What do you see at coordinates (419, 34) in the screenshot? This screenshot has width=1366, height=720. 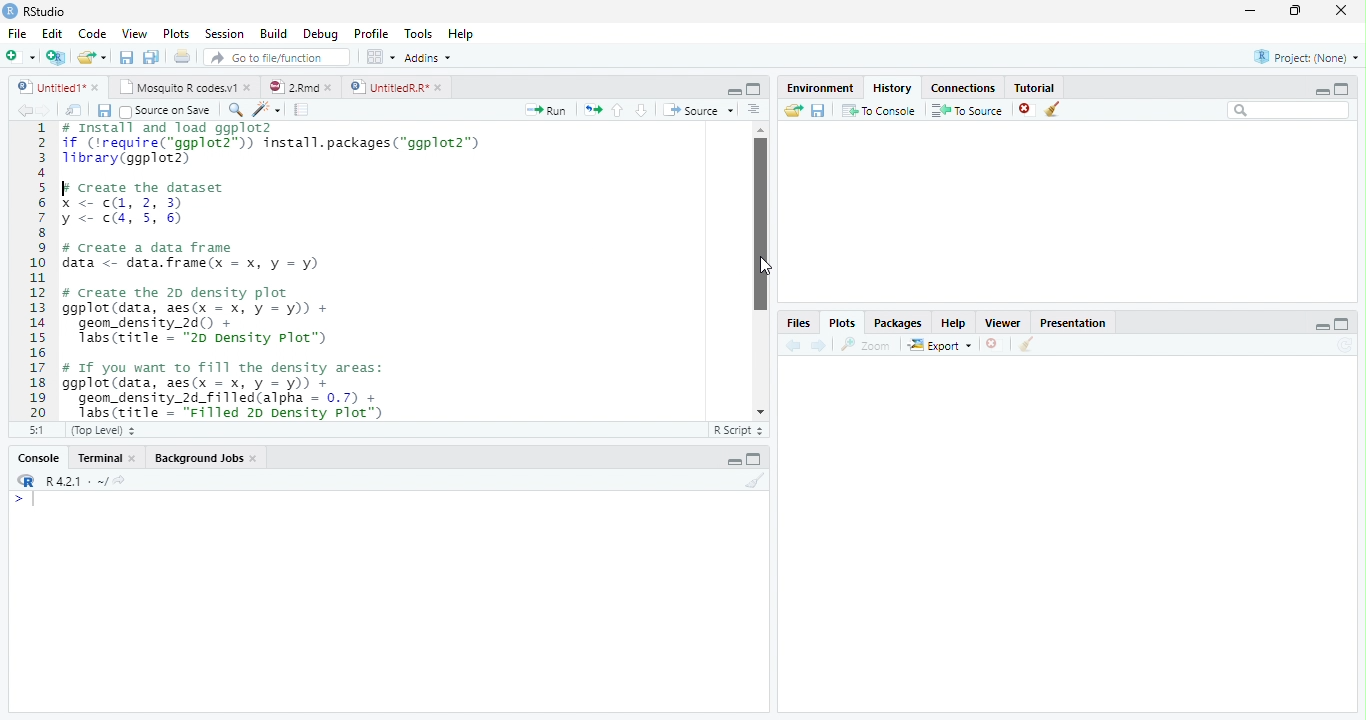 I see `Tools` at bounding box center [419, 34].